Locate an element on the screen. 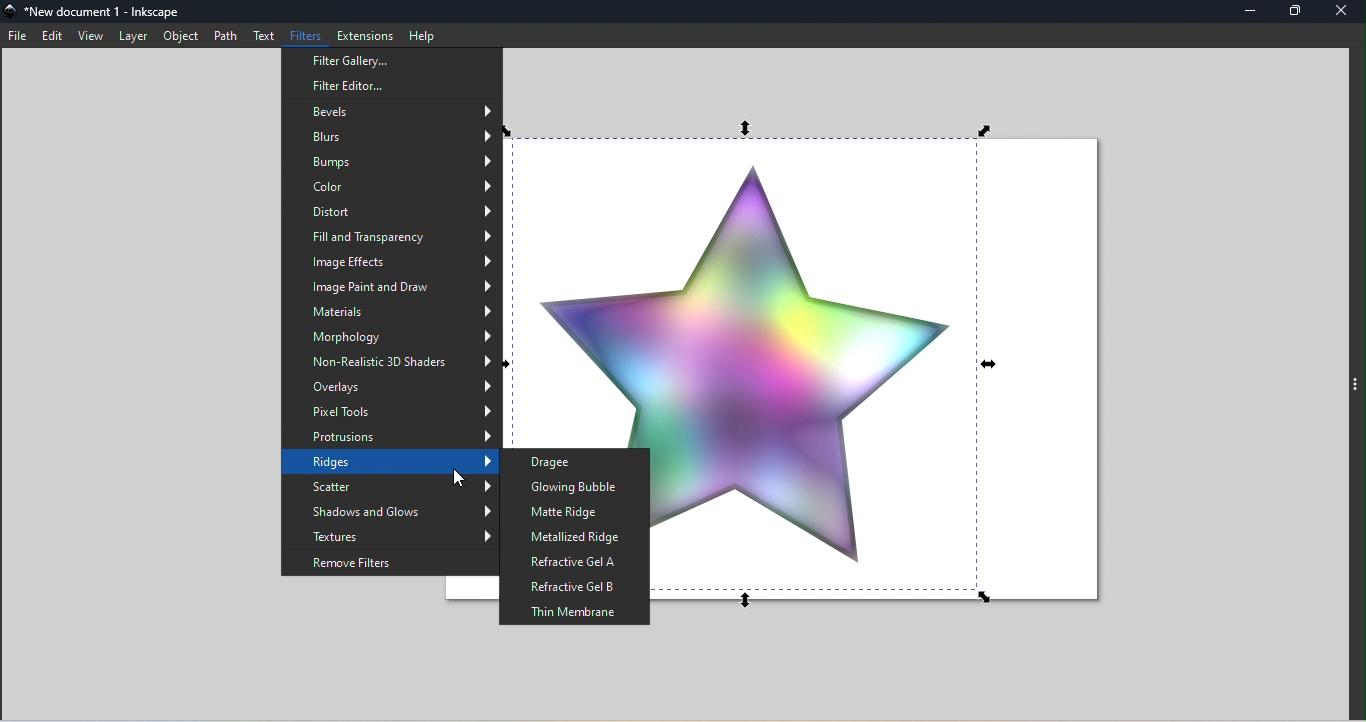 Image resolution: width=1366 pixels, height=722 pixels. Dragee is located at coordinates (573, 462).